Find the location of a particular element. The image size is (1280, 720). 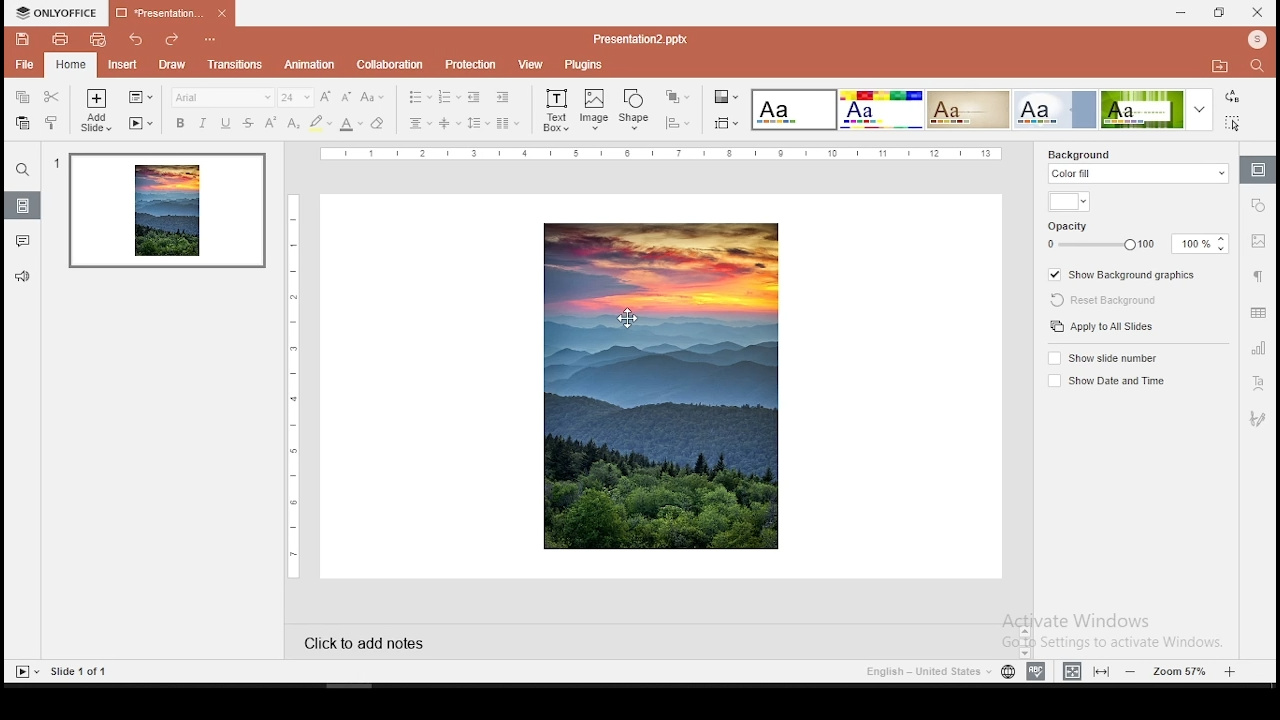

replace is located at coordinates (1232, 97).